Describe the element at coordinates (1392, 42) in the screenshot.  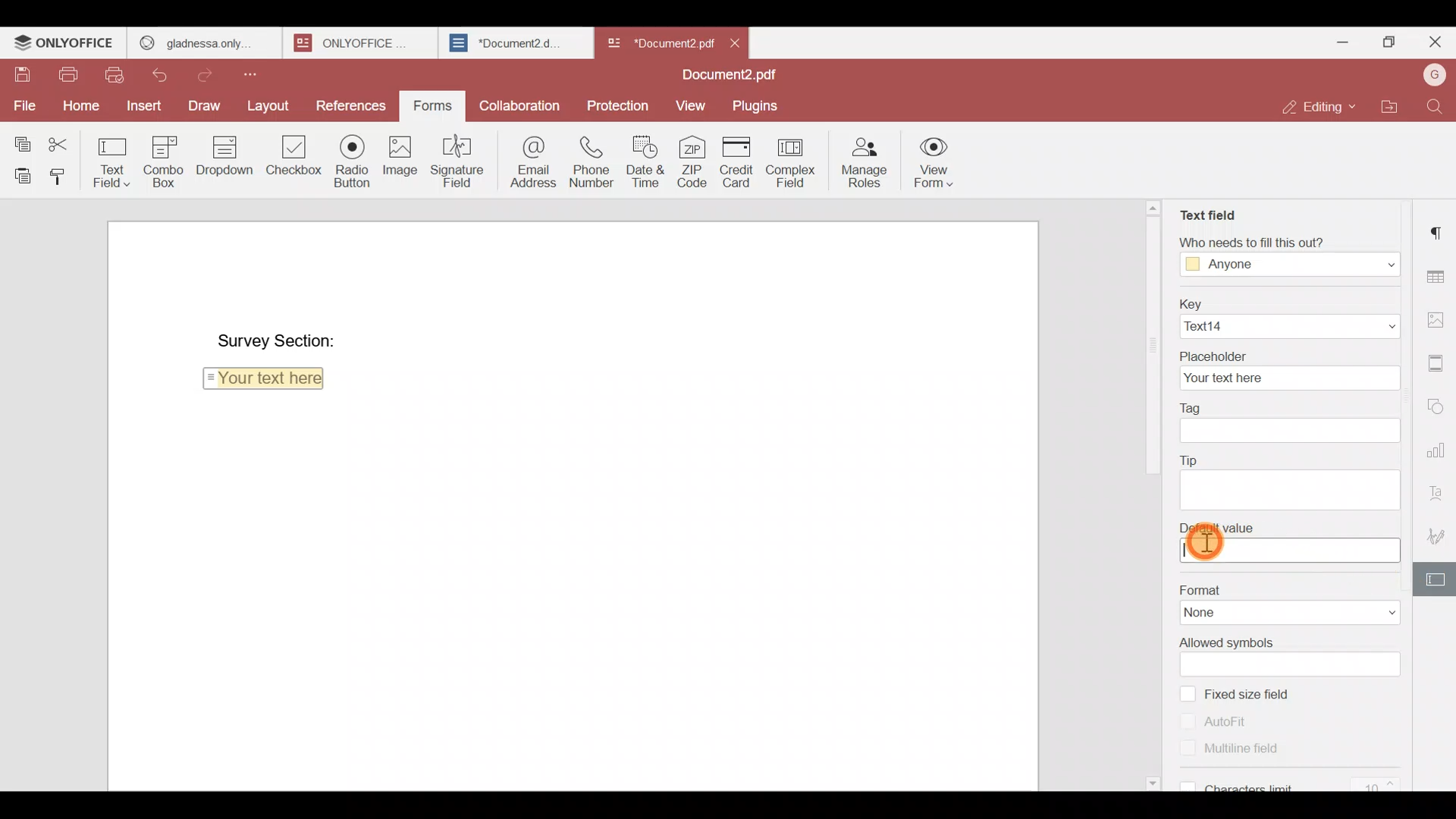
I see `Maximize` at that location.